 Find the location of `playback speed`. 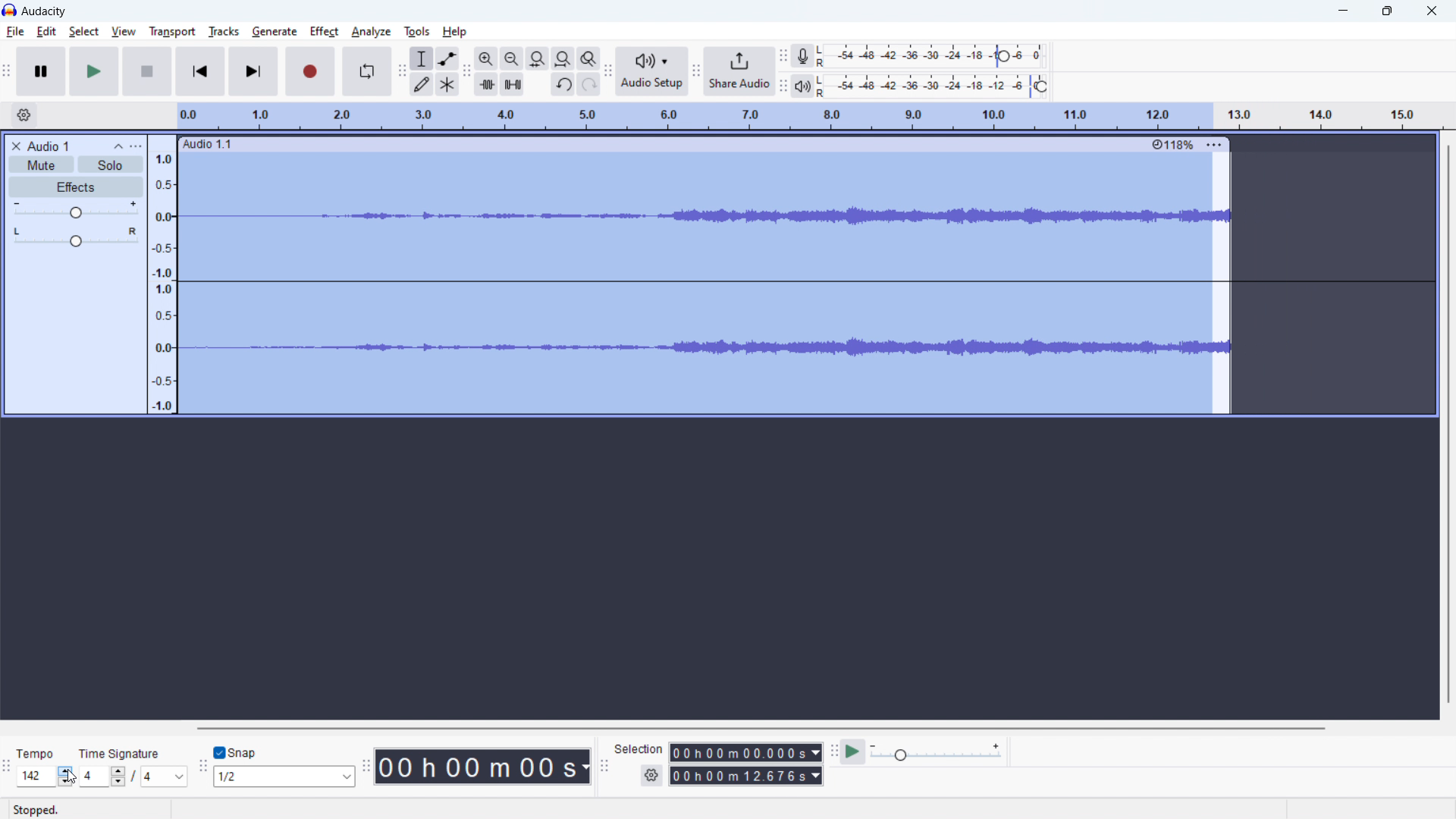

playback speed is located at coordinates (938, 753).